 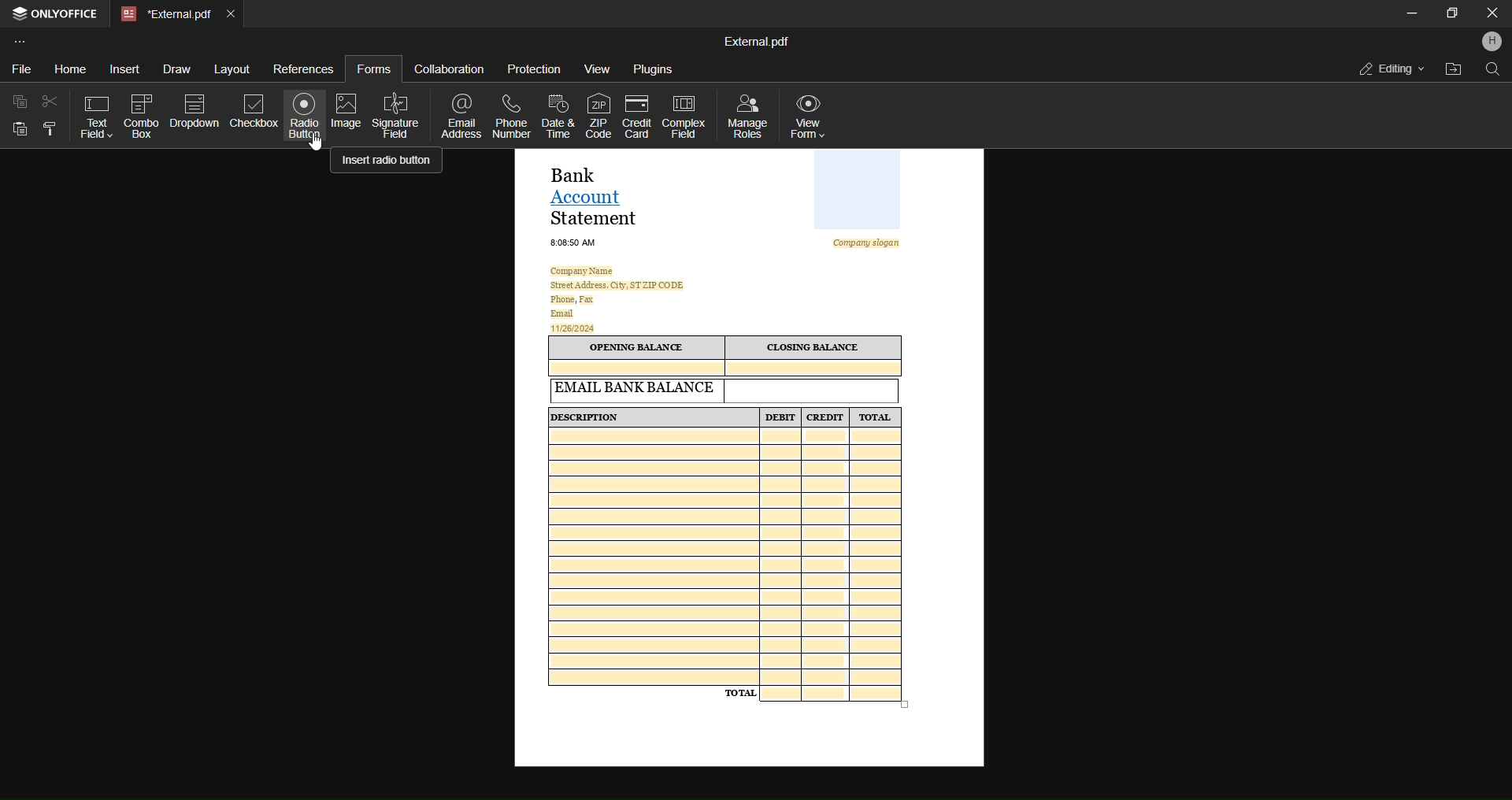 What do you see at coordinates (63, 67) in the screenshot?
I see `home` at bounding box center [63, 67].